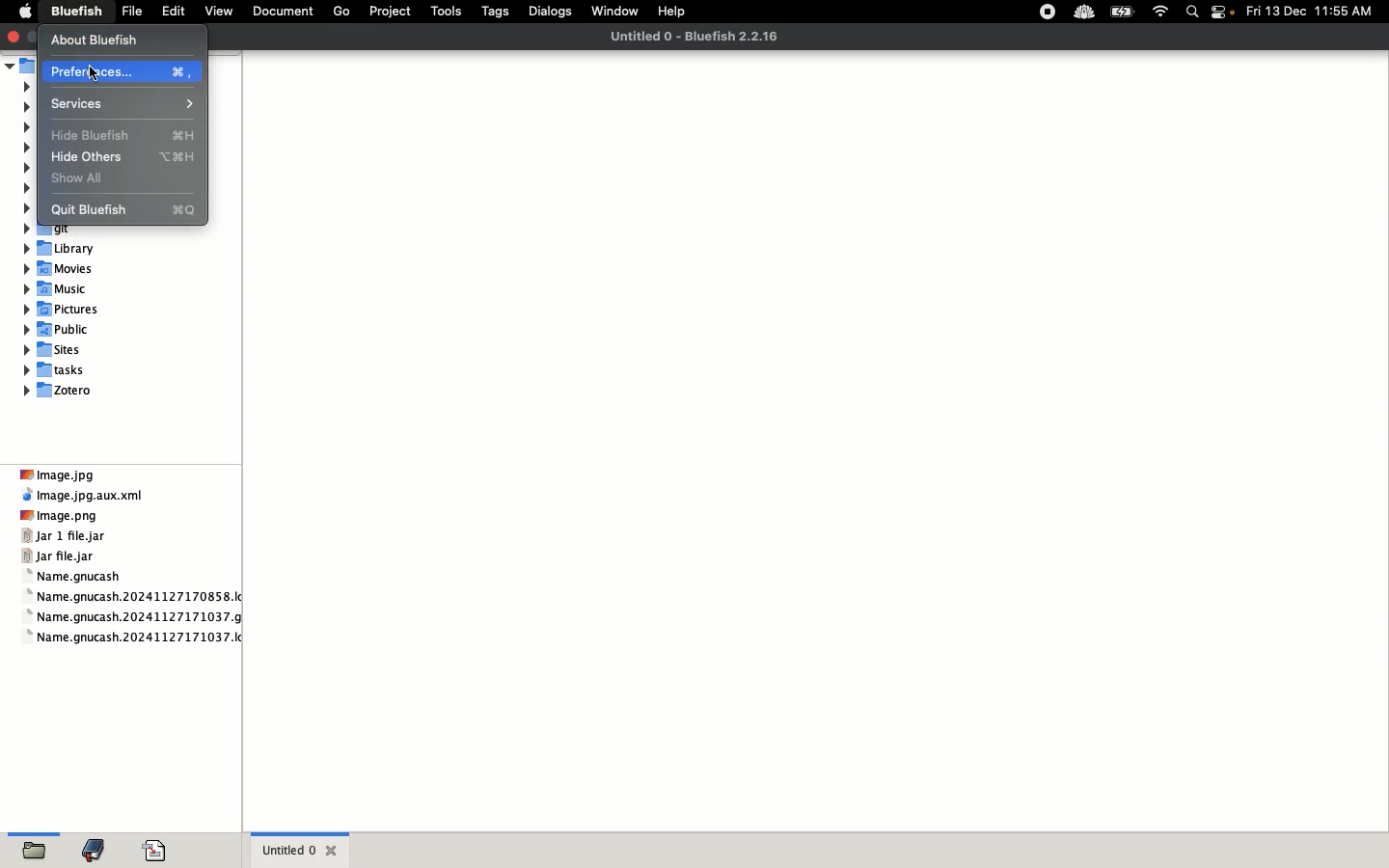 The image size is (1389, 868). Describe the element at coordinates (65, 249) in the screenshot. I see `library` at that location.